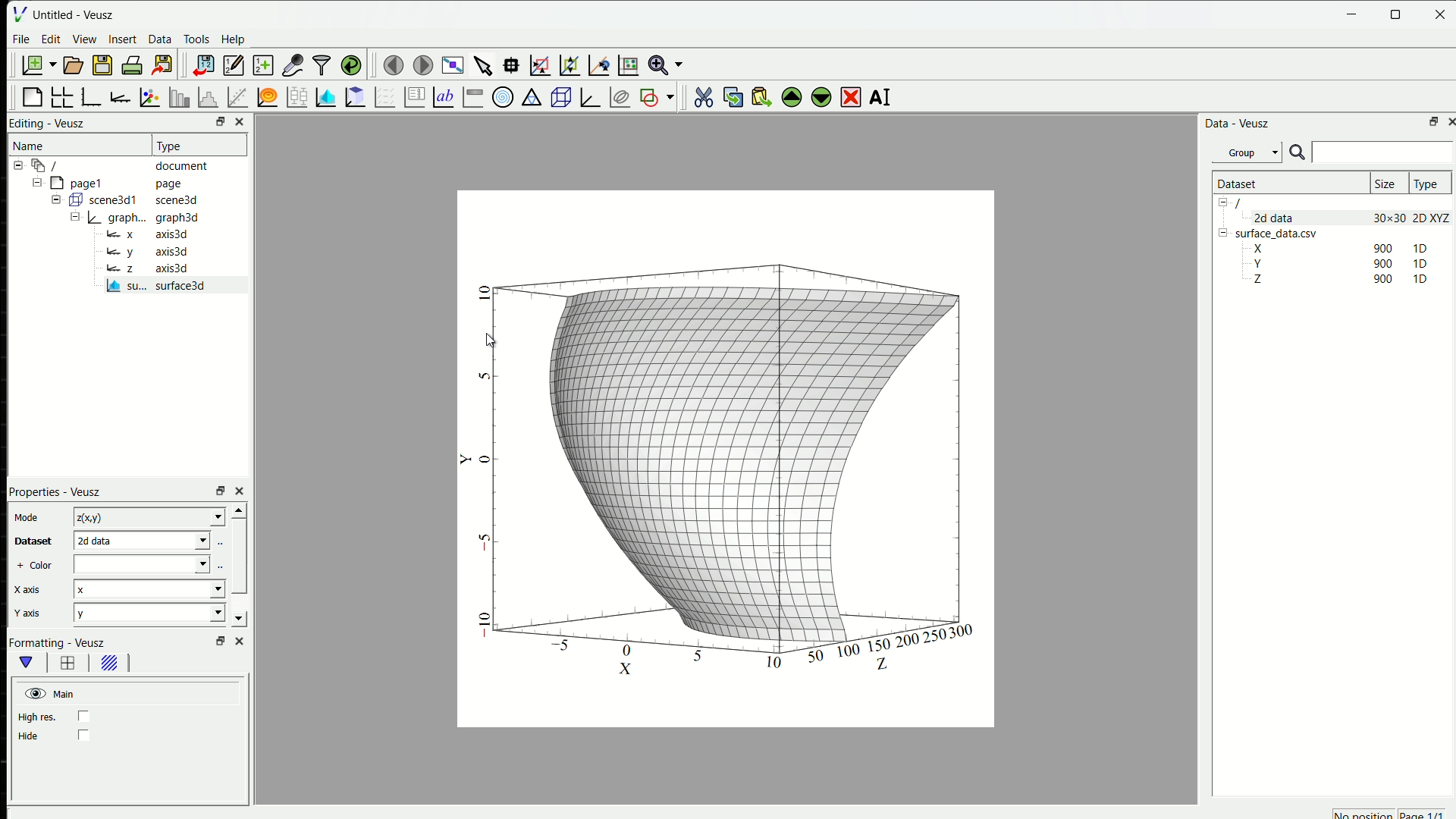 The height and width of the screenshot is (819, 1456). Describe the element at coordinates (30, 736) in the screenshot. I see `Hide` at that location.